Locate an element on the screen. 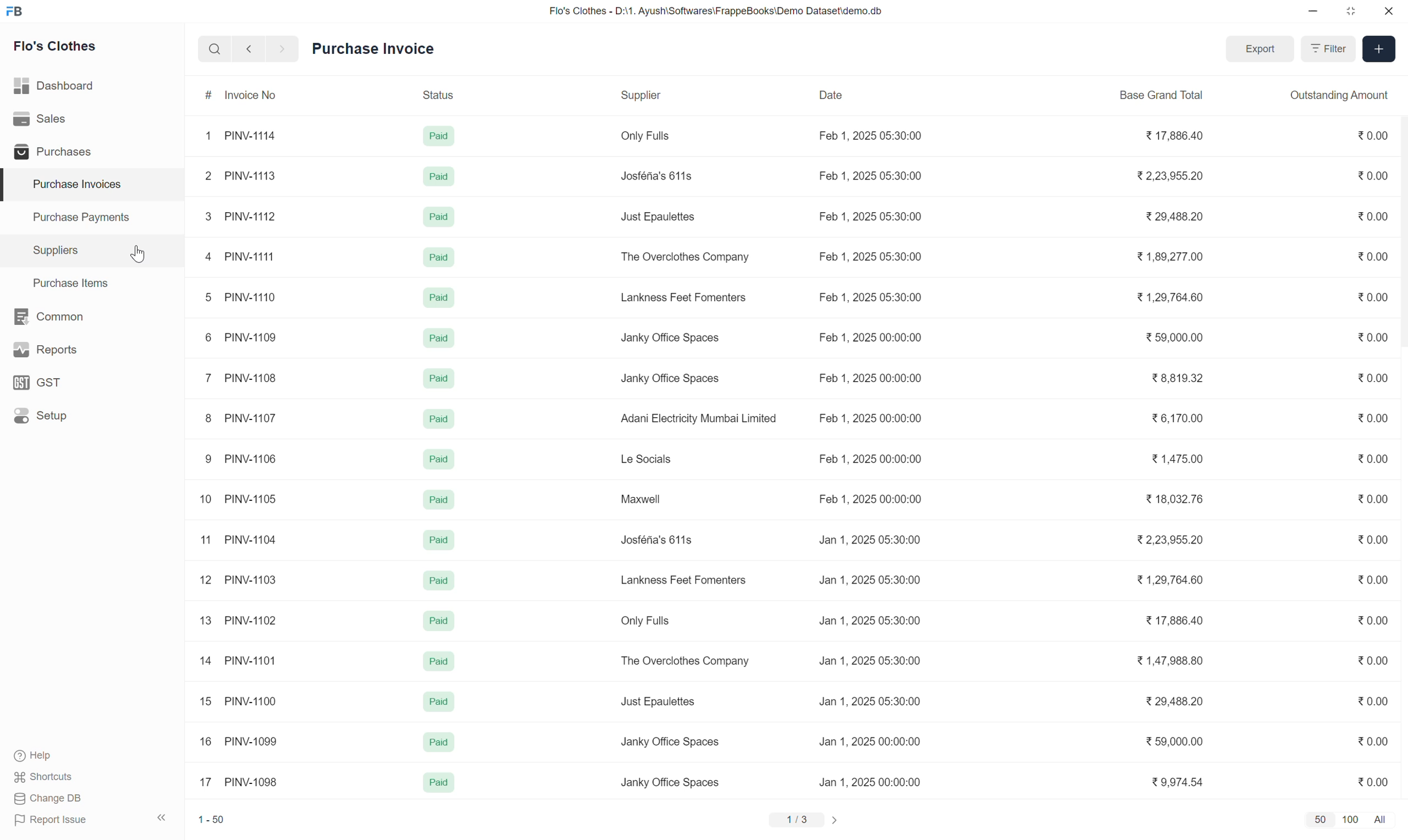 The image size is (1408, 840). paid is located at coordinates (438, 499).